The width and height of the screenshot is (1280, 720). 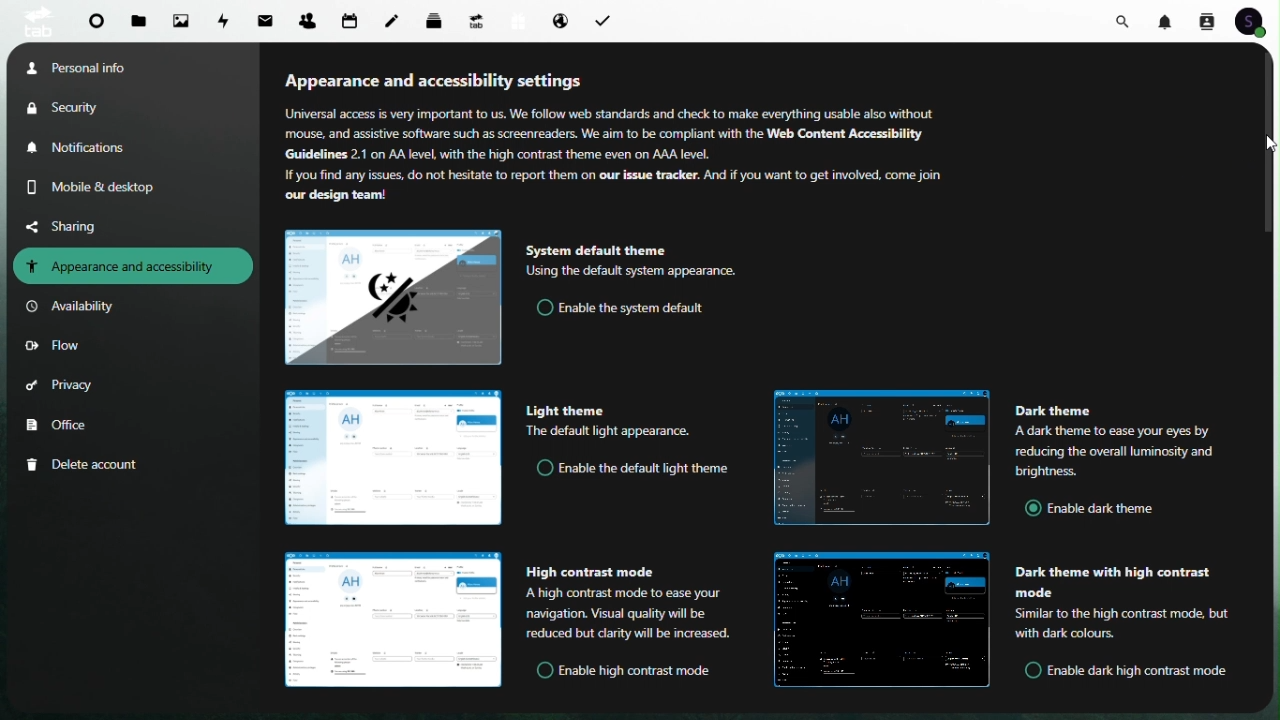 What do you see at coordinates (1168, 20) in the screenshot?
I see `Notifications` at bounding box center [1168, 20].